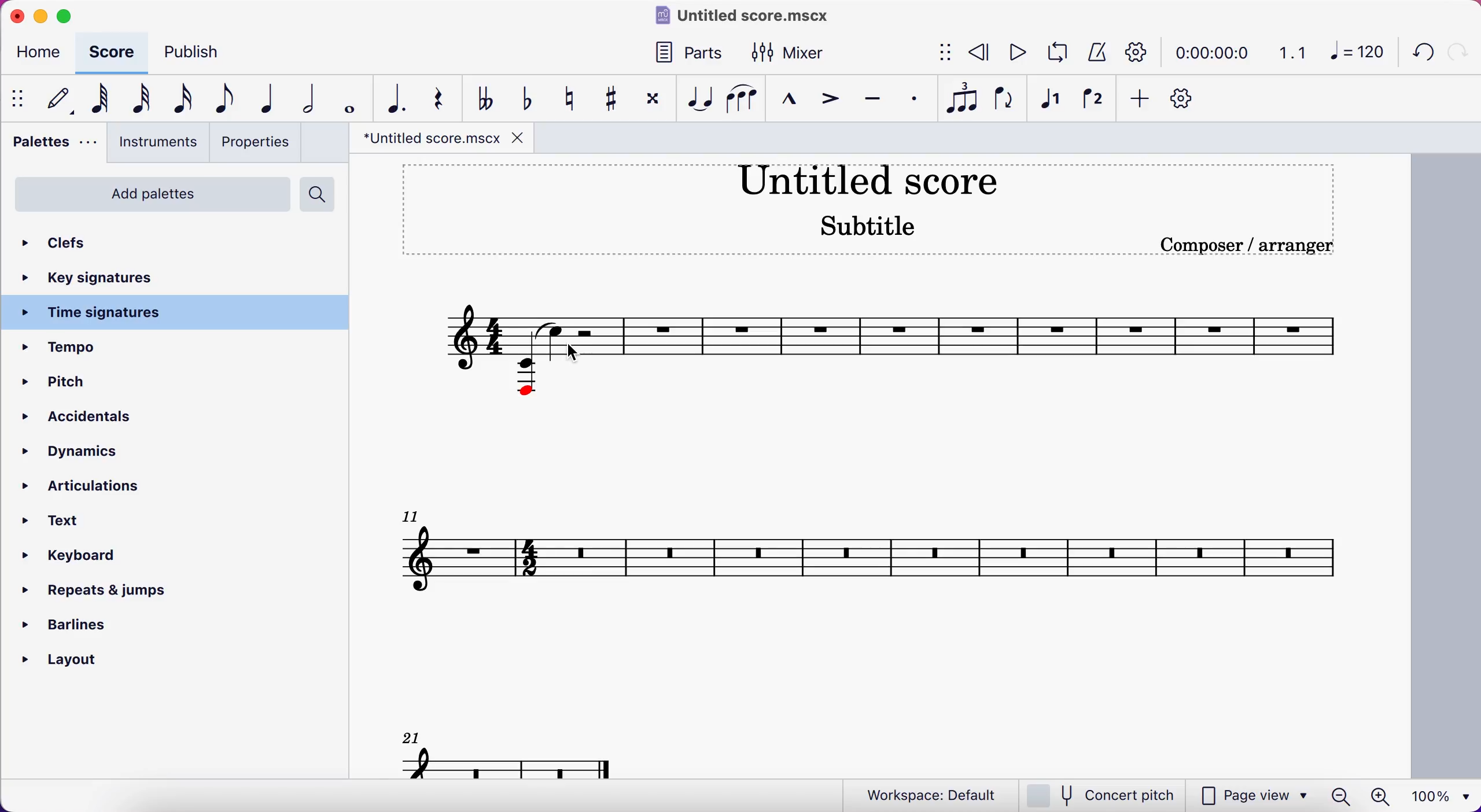 Image resolution: width=1481 pixels, height=812 pixels. Describe the element at coordinates (878, 206) in the screenshot. I see `untitled score subtitle composer/arranger` at that location.